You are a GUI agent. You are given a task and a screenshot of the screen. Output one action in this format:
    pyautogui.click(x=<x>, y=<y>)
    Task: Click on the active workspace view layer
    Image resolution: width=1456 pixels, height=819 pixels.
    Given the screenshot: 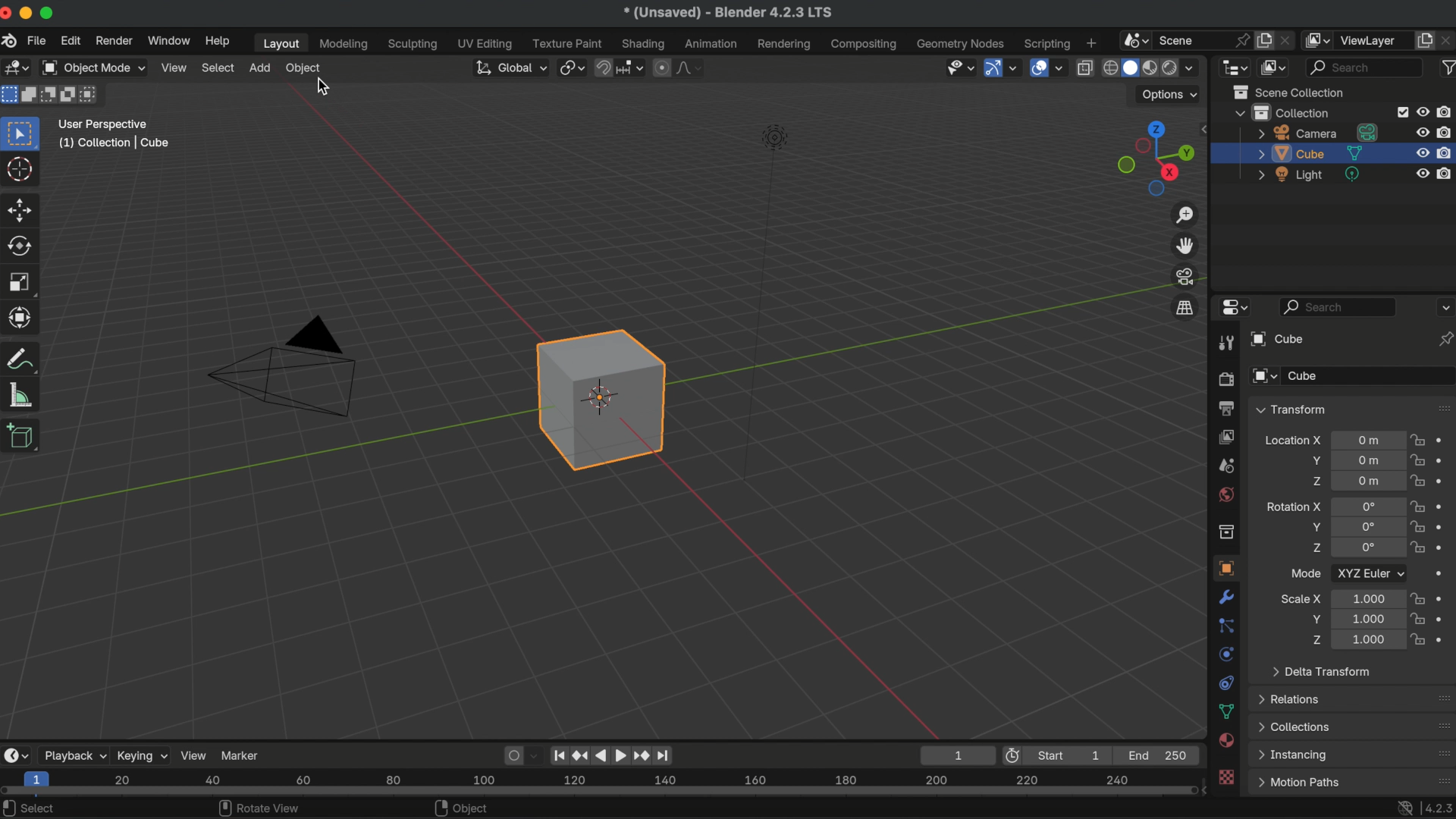 What is the action you would take?
    pyautogui.click(x=1319, y=39)
    